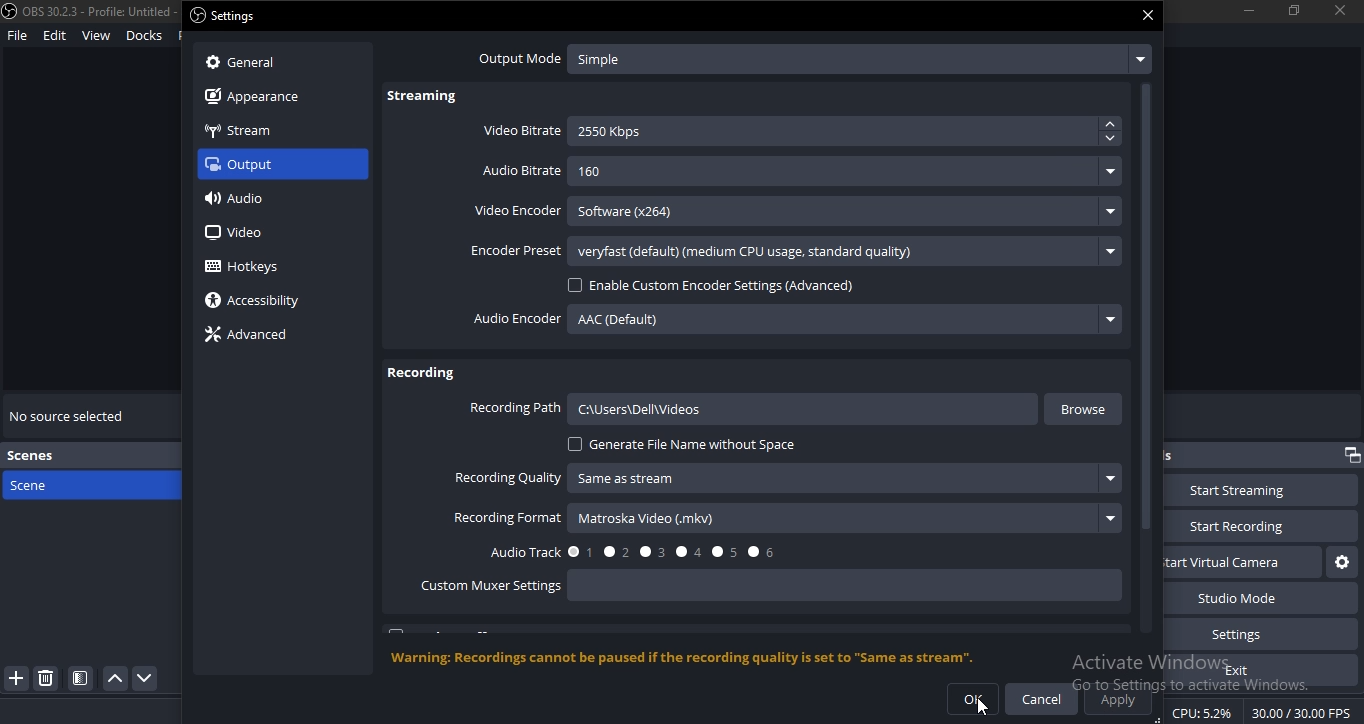  What do you see at coordinates (848, 478) in the screenshot?
I see `‘Same as stream` at bounding box center [848, 478].